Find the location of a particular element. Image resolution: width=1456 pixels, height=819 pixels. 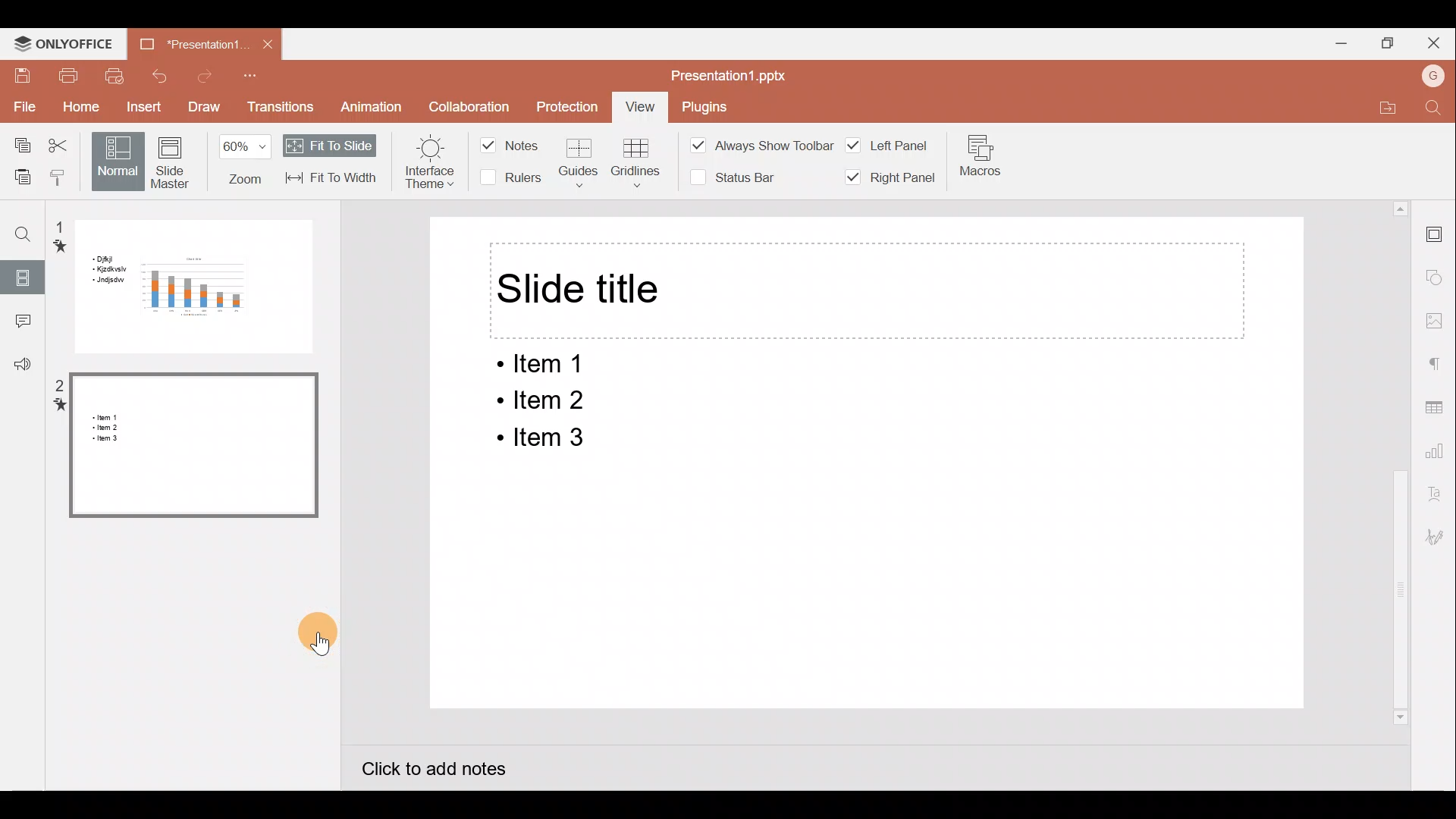

Slide settings is located at coordinates (1439, 231).